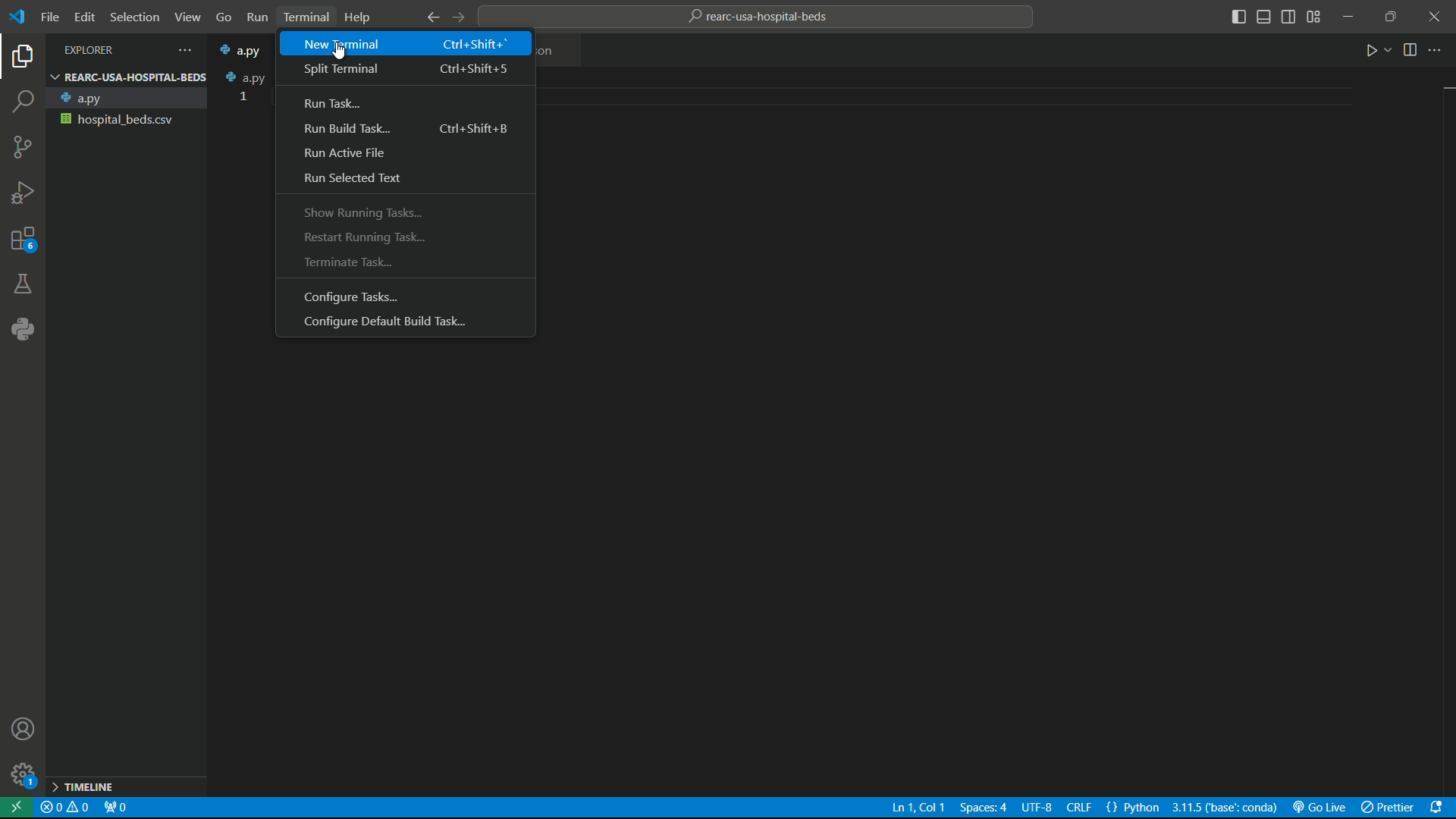  I want to click on views and more actions, so click(188, 49).